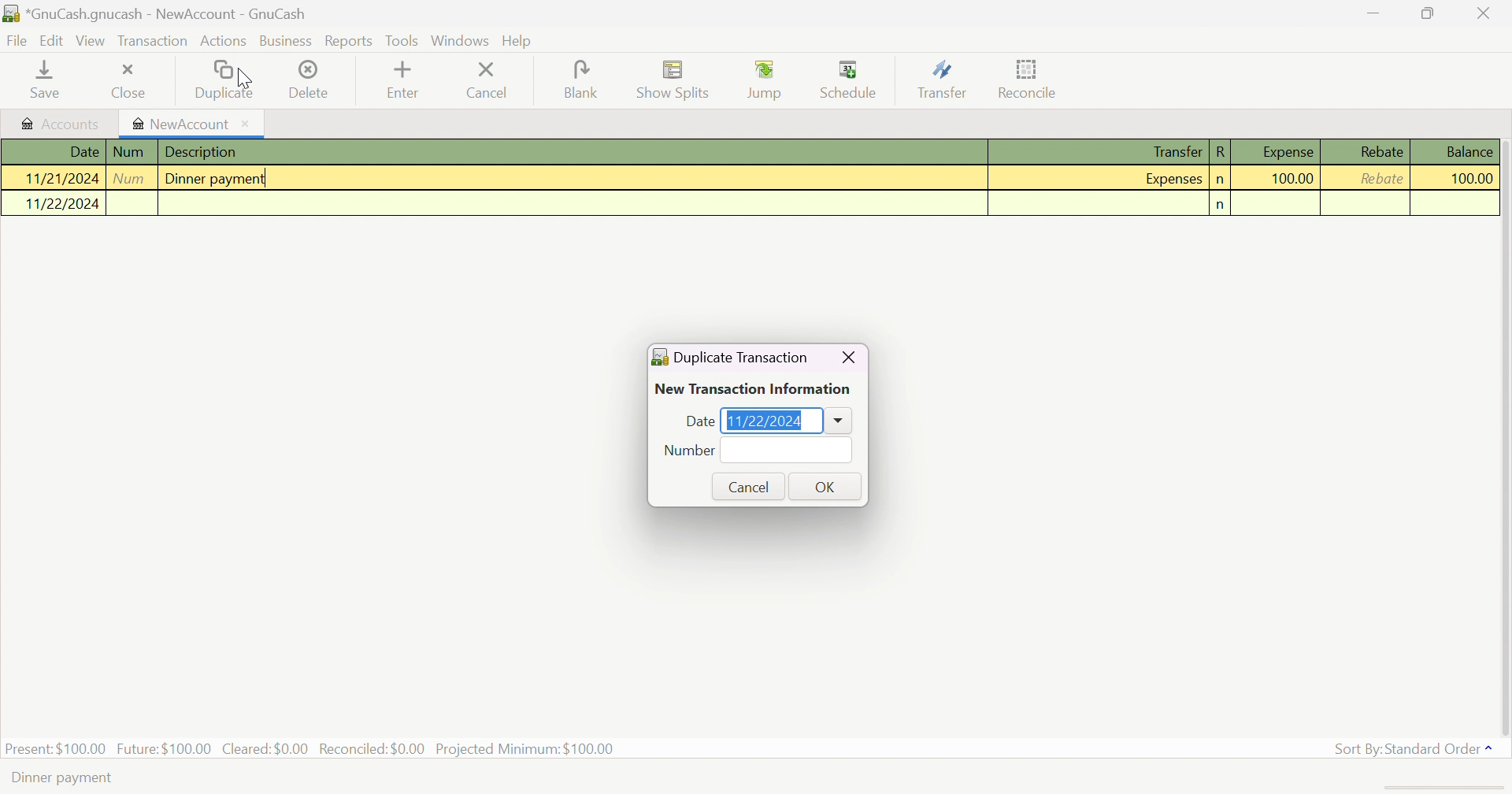  I want to click on New Transaction Information, so click(757, 389).